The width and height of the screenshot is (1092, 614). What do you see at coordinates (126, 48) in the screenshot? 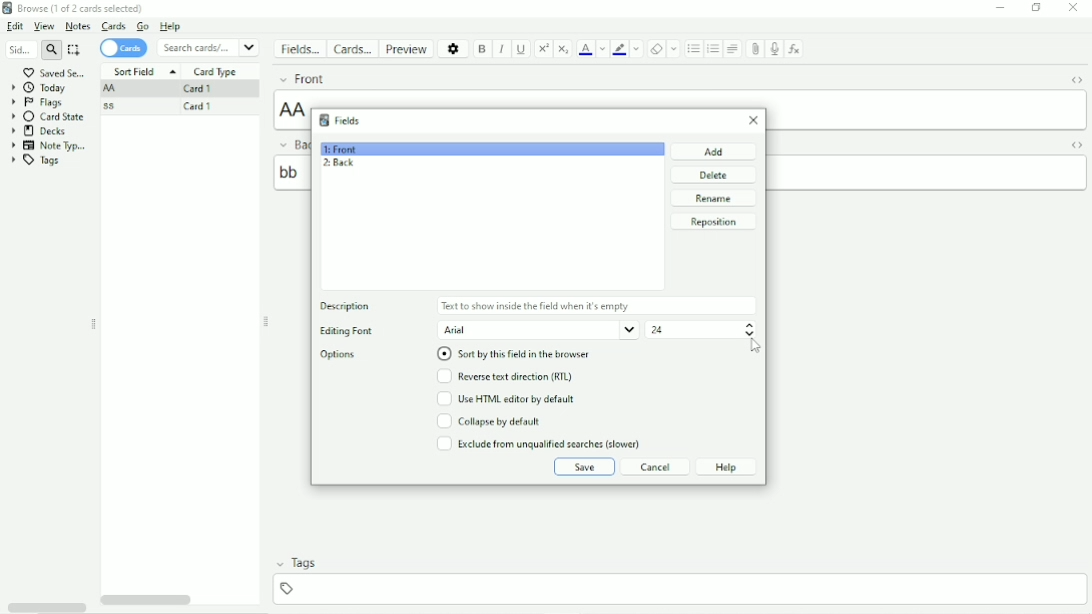
I see `Cards` at bounding box center [126, 48].